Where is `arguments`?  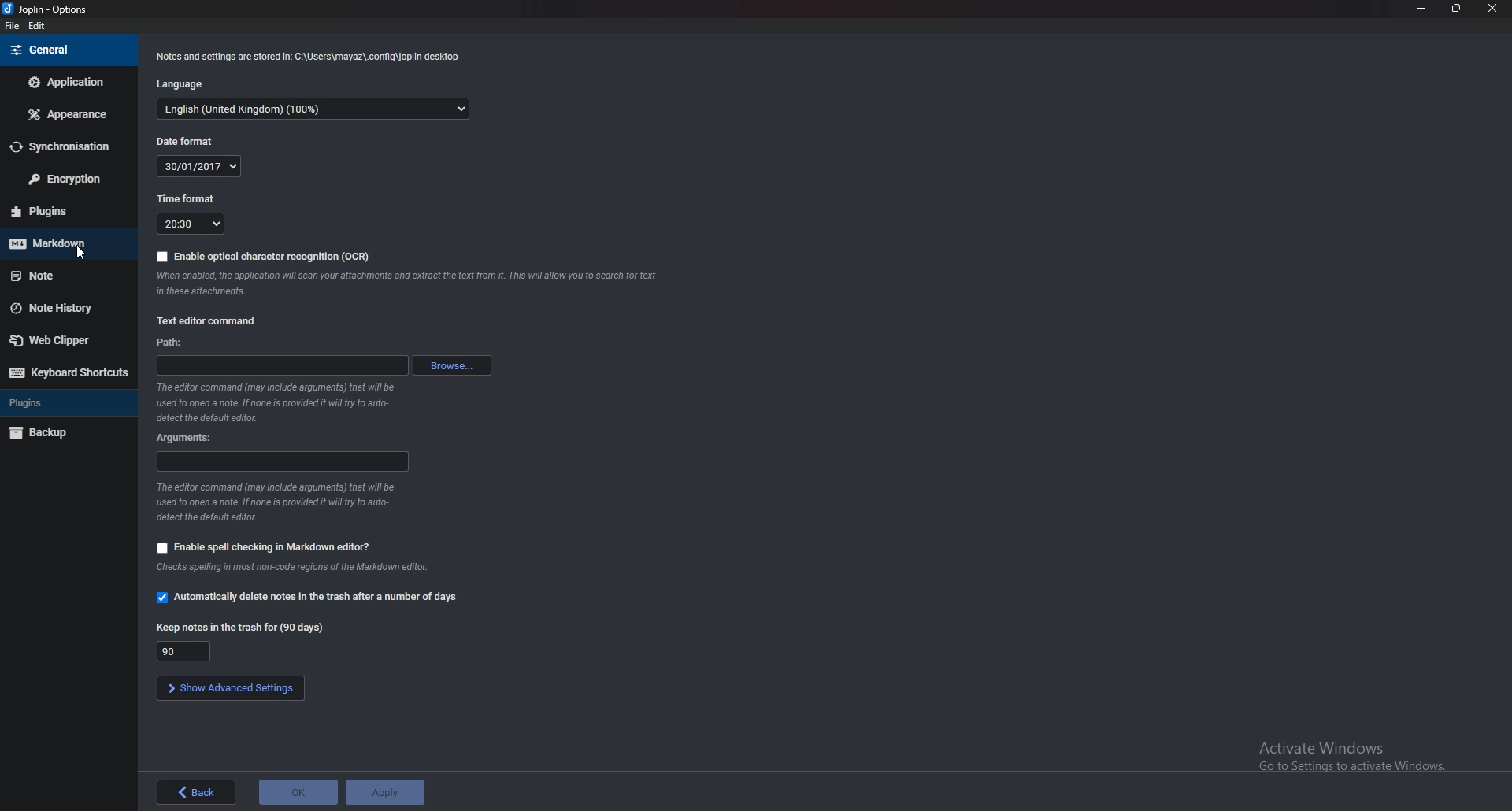 arguments is located at coordinates (183, 439).